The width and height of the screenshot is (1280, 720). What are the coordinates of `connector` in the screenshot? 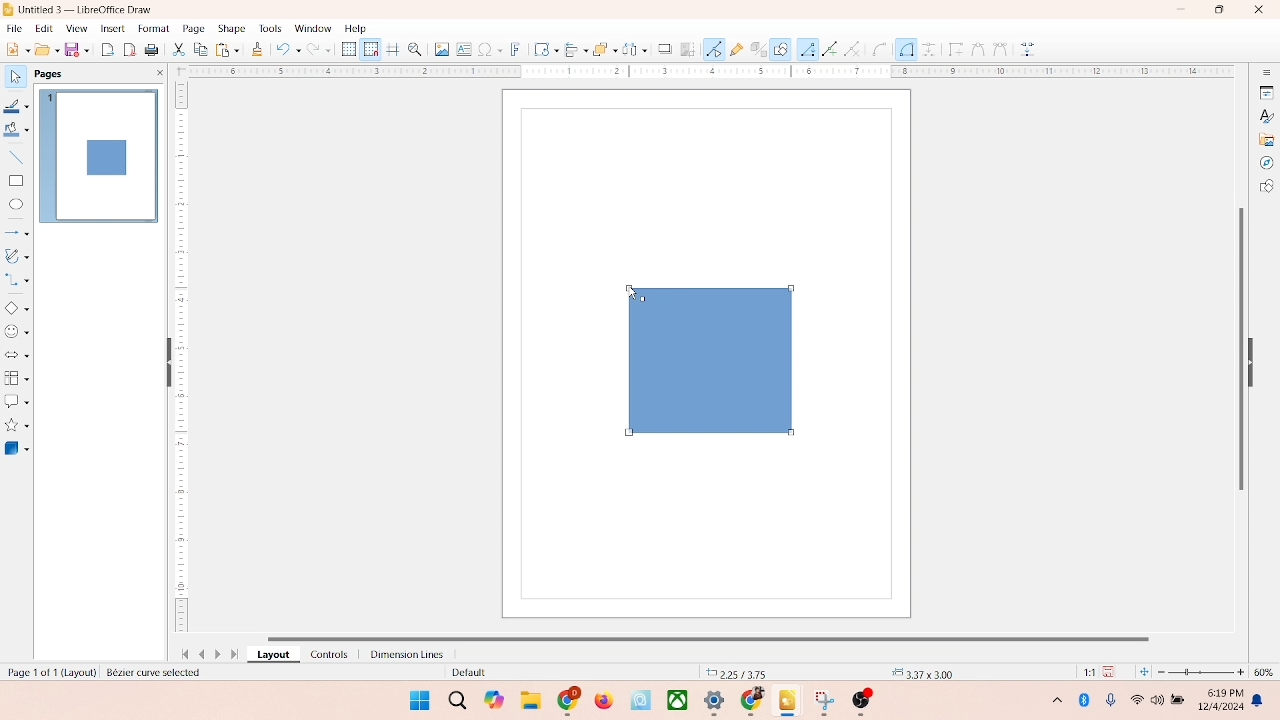 It's located at (18, 280).